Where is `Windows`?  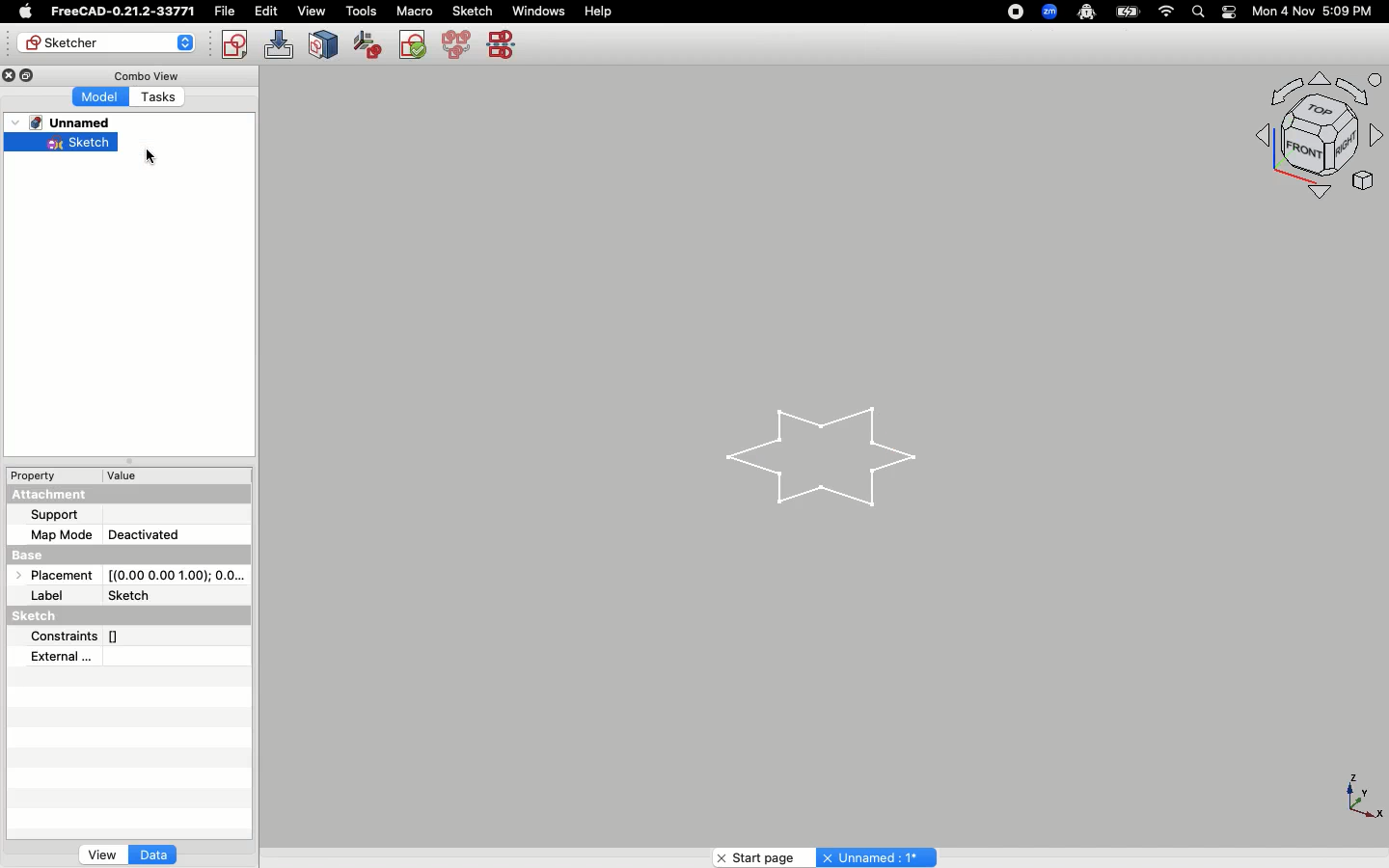
Windows is located at coordinates (538, 12).